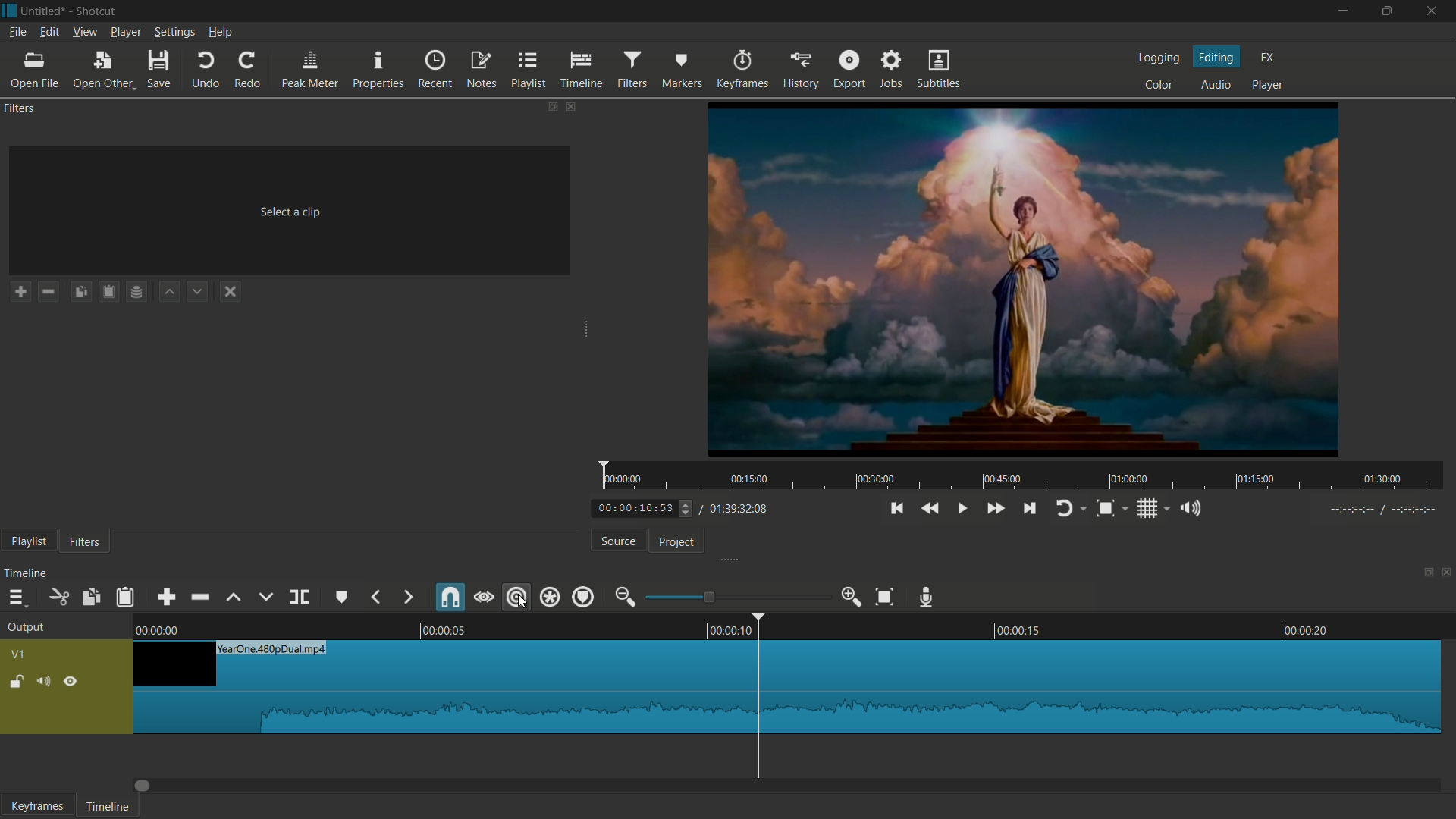 This screenshot has height=819, width=1456. What do you see at coordinates (35, 805) in the screenshot?
I see `keyframes` at bounding box center [35, 805].